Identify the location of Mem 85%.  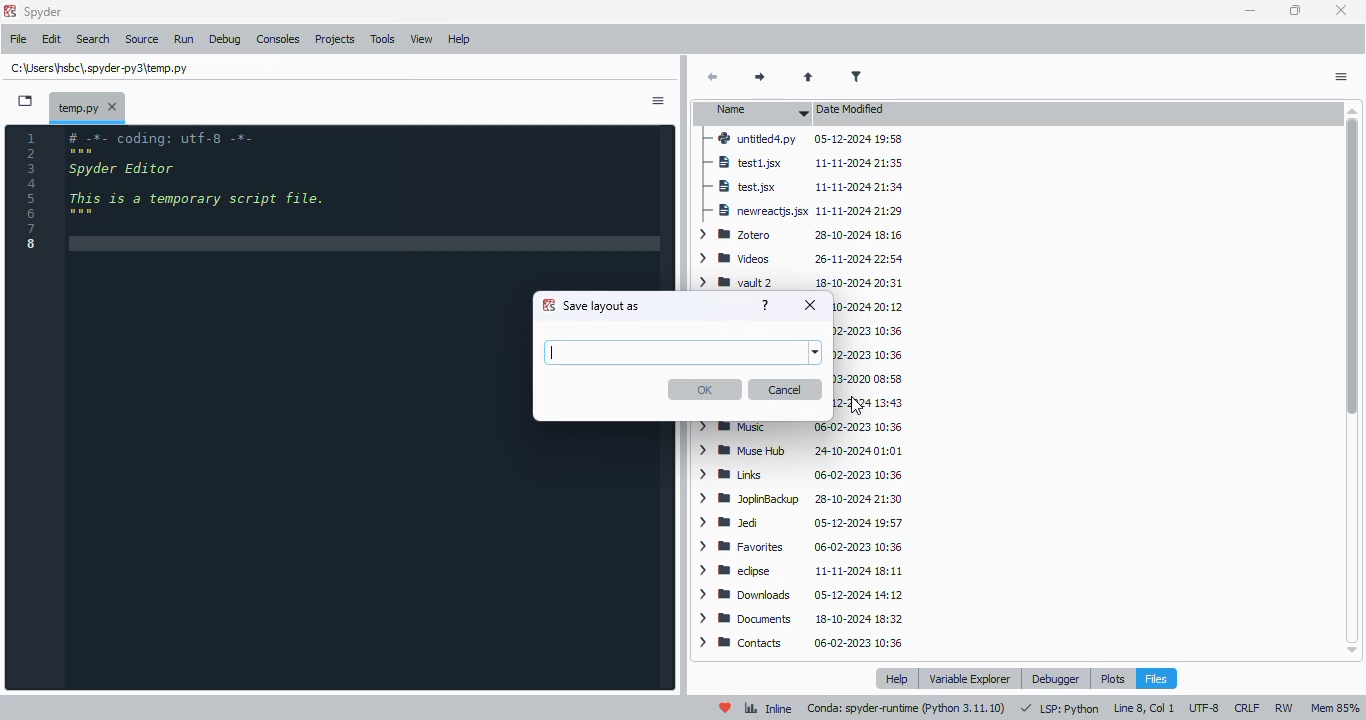
(1335, 708).